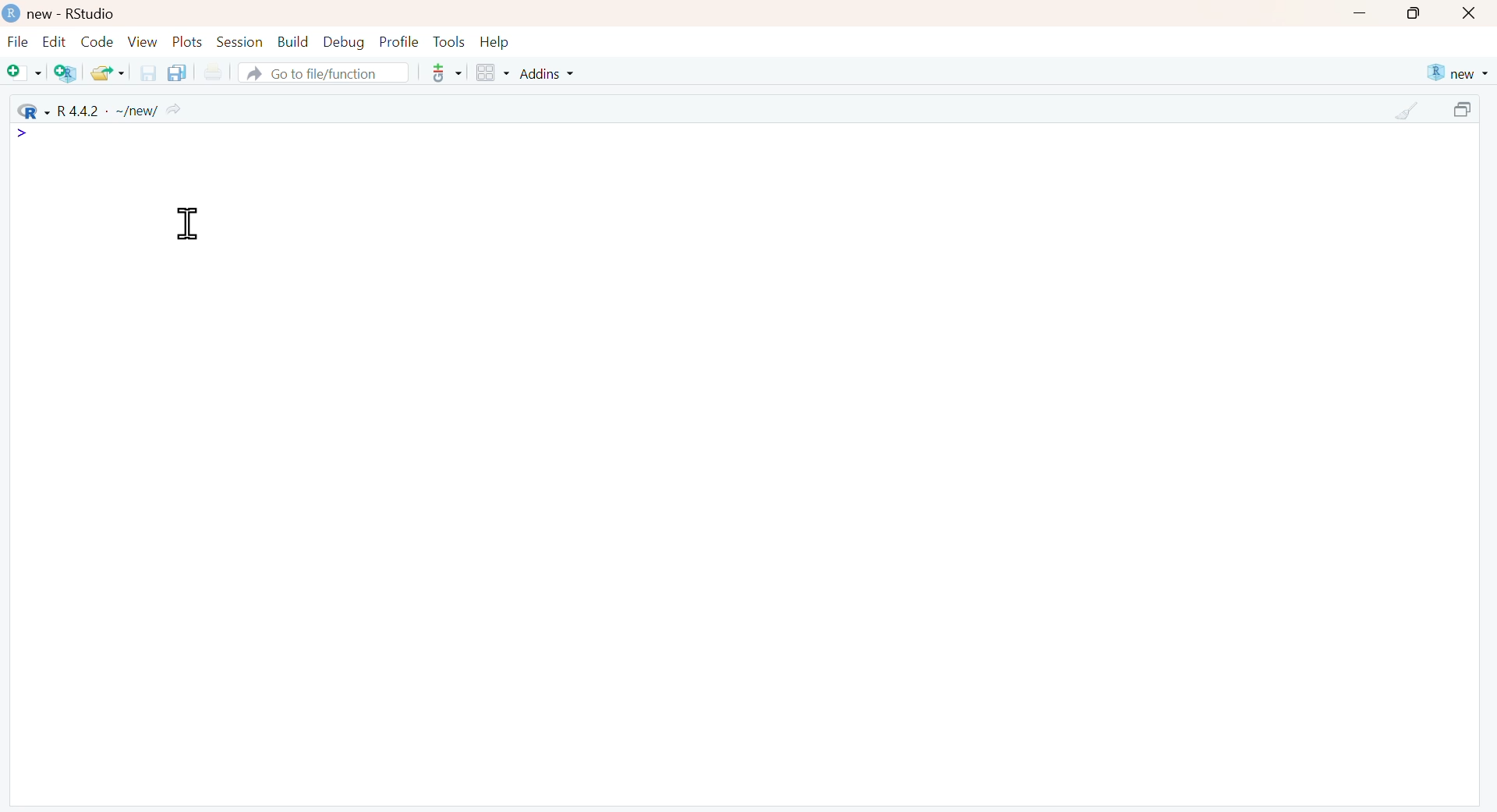  What do you see at coordinates (18, 43) in the screenshot?
I see `File` at bounding box center [18, 43].